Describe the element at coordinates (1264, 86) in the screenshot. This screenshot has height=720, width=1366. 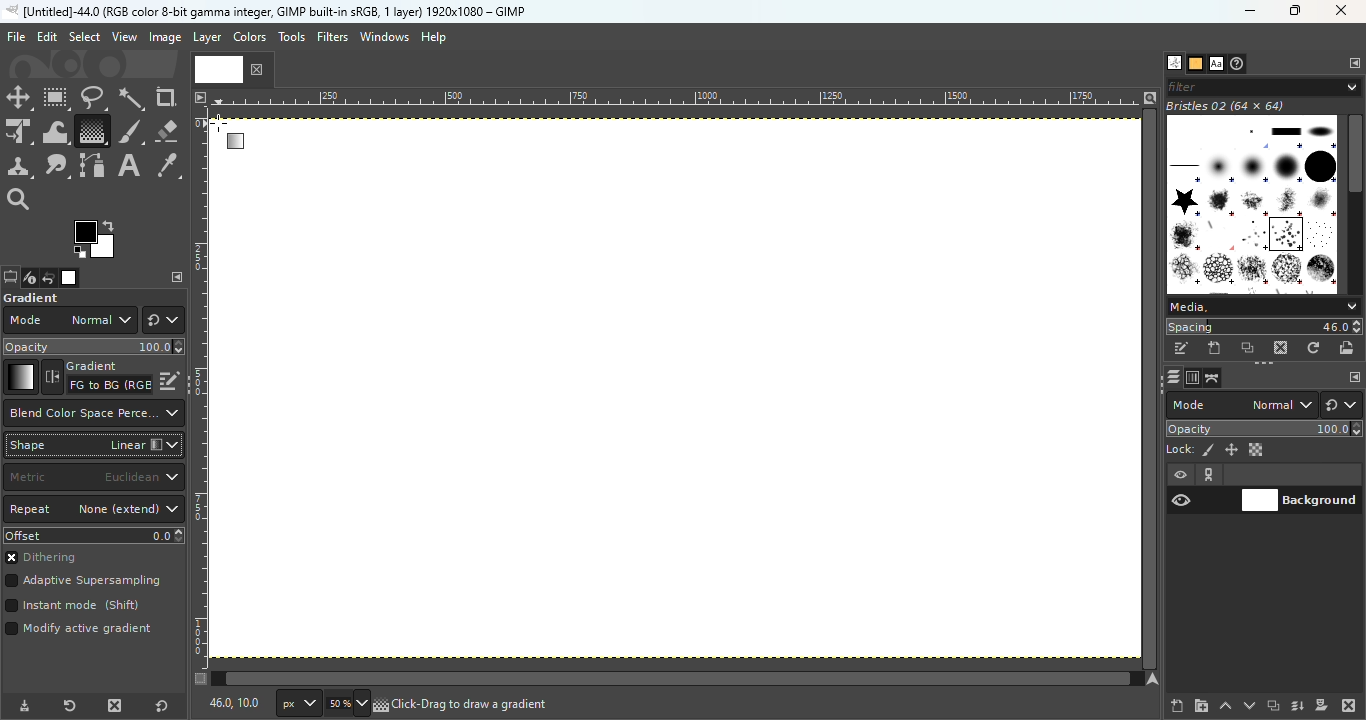
I see `Filter` at that location.